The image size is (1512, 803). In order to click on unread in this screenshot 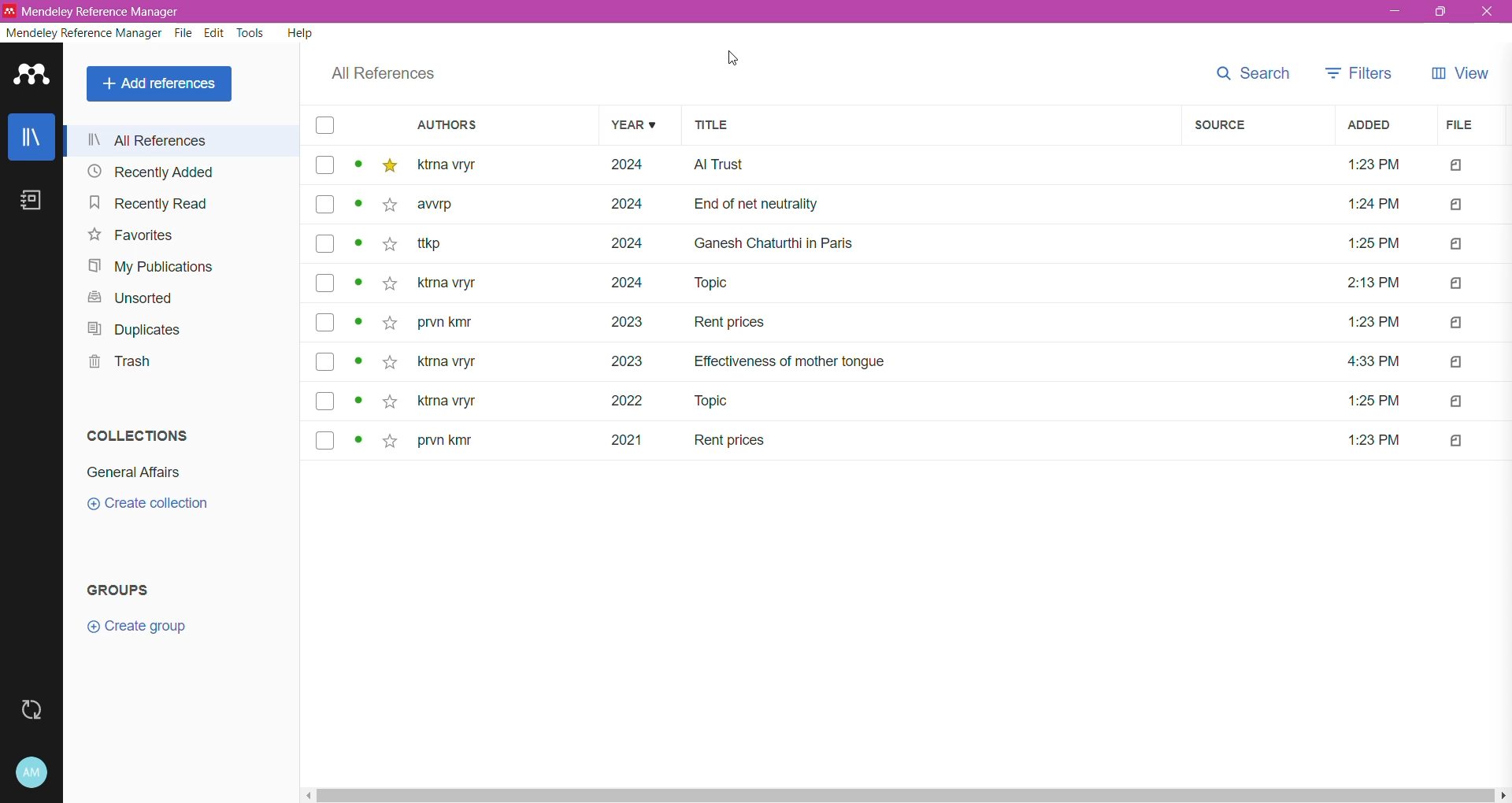, I will do `click(358, 361)`.